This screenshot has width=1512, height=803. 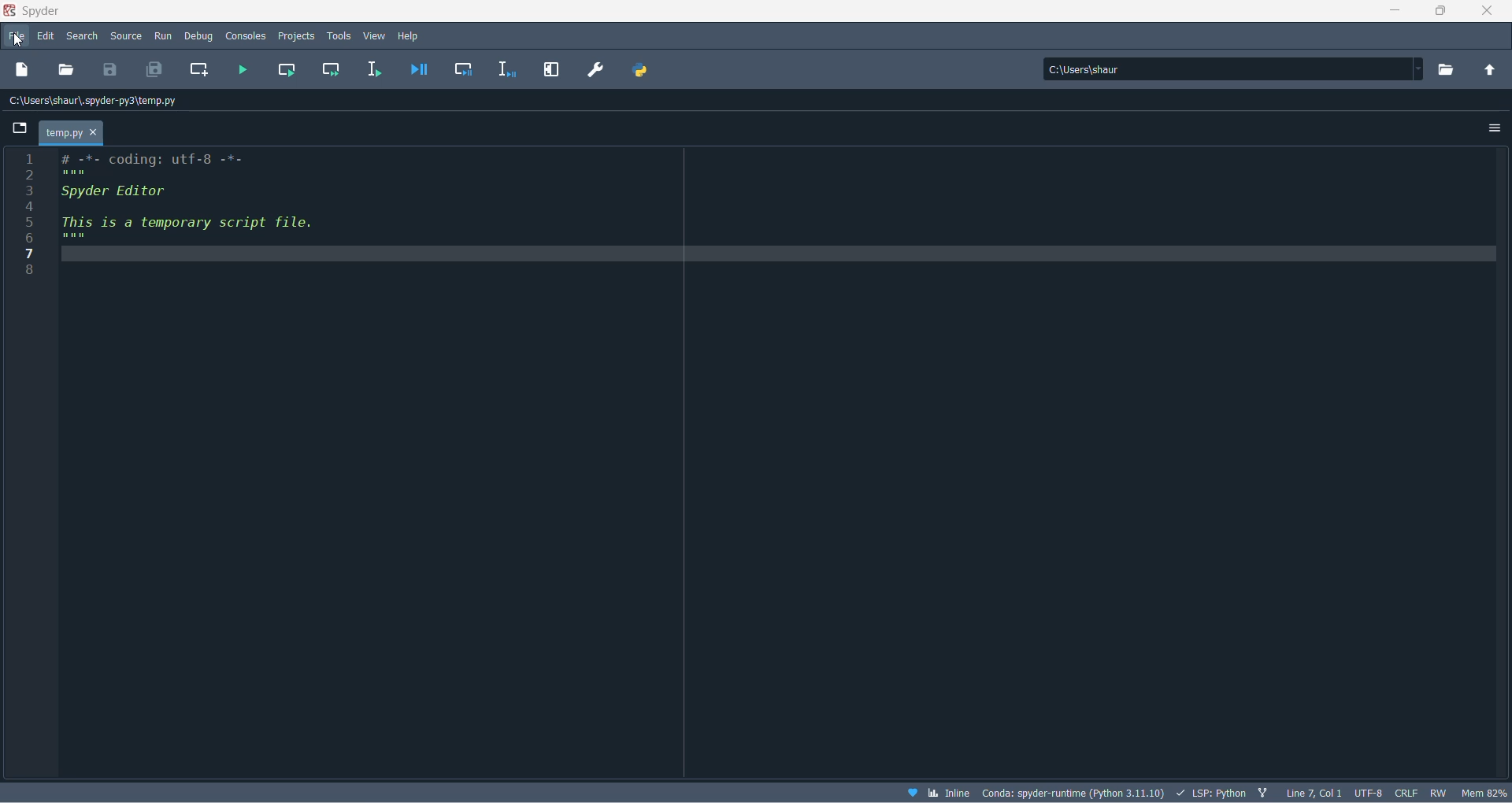 I want to click on path, so click(x=103, y=100).